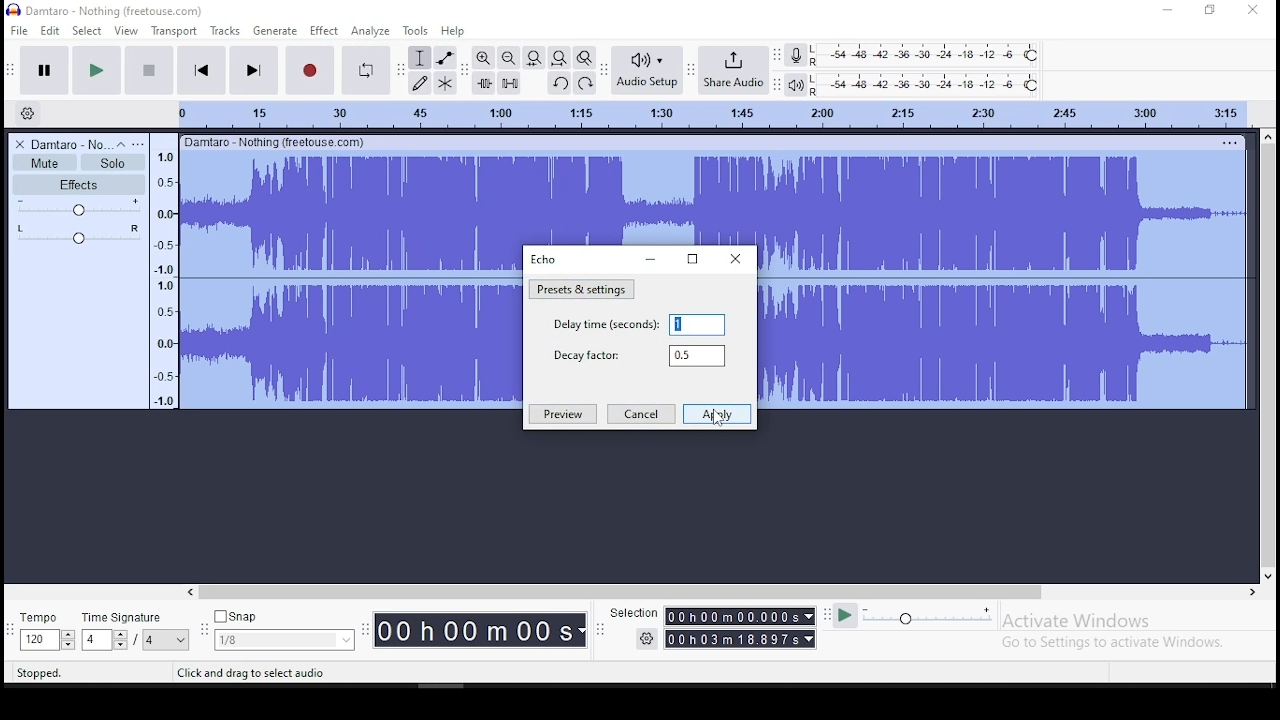  What do you see at coordinates (370, 32) in the screenshot?
I see `analyze` at bounding box center [370, 32].